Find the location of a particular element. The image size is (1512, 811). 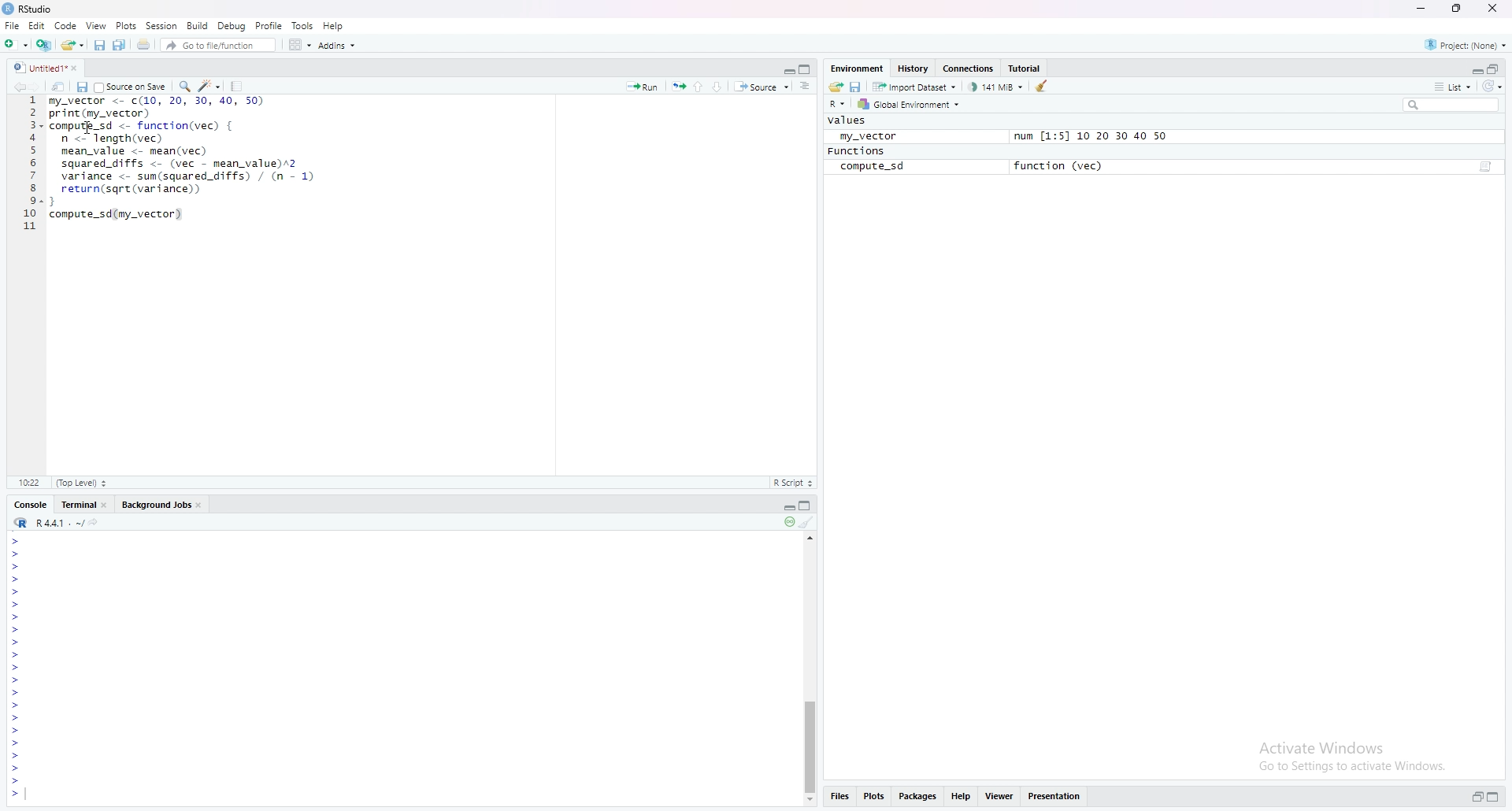

Open an existing file (Ctrl + O) is located at coordinates (72, 44).